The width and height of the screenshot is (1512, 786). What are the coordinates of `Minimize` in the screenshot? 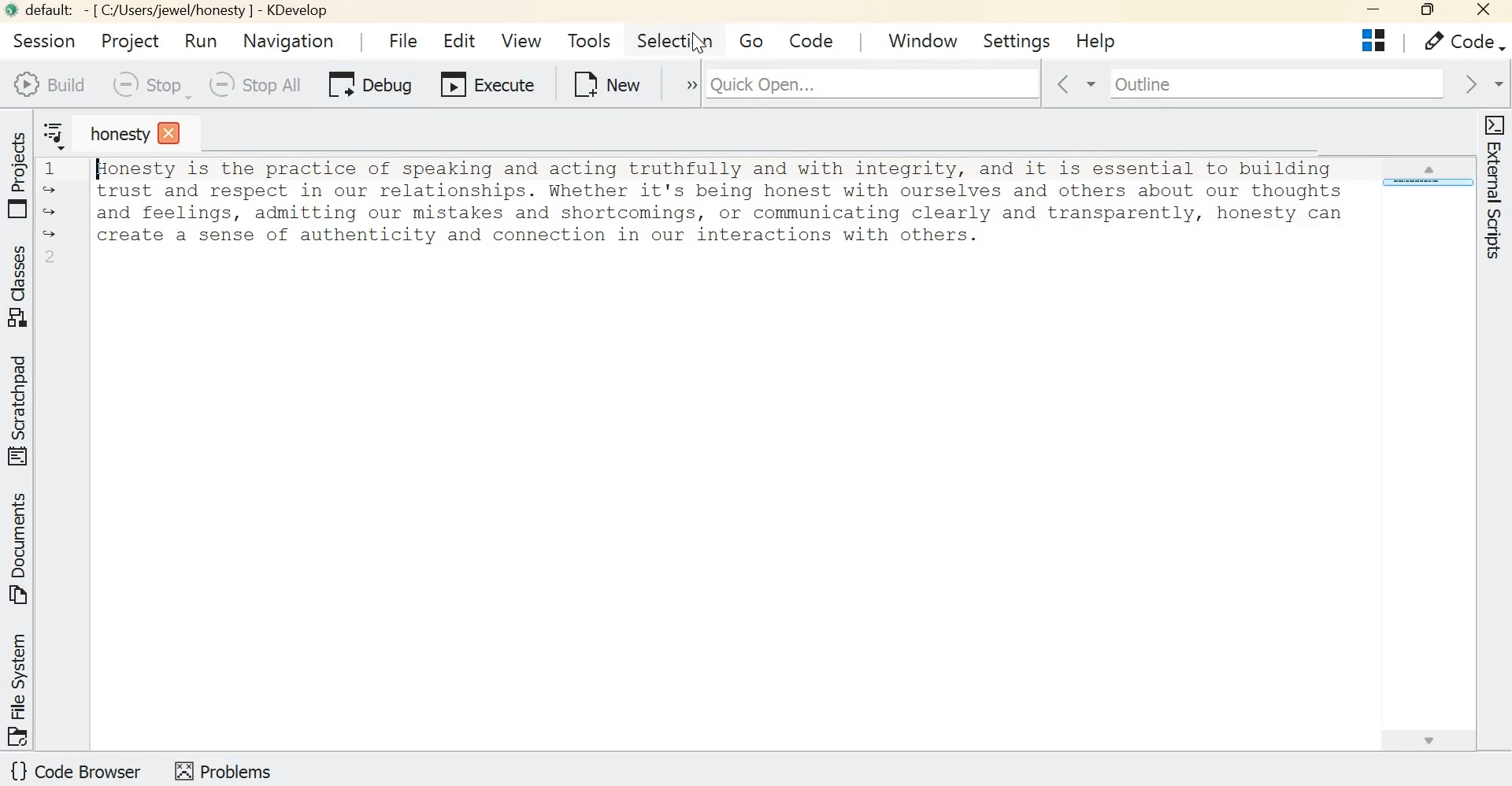 It's located at (1368, 12).